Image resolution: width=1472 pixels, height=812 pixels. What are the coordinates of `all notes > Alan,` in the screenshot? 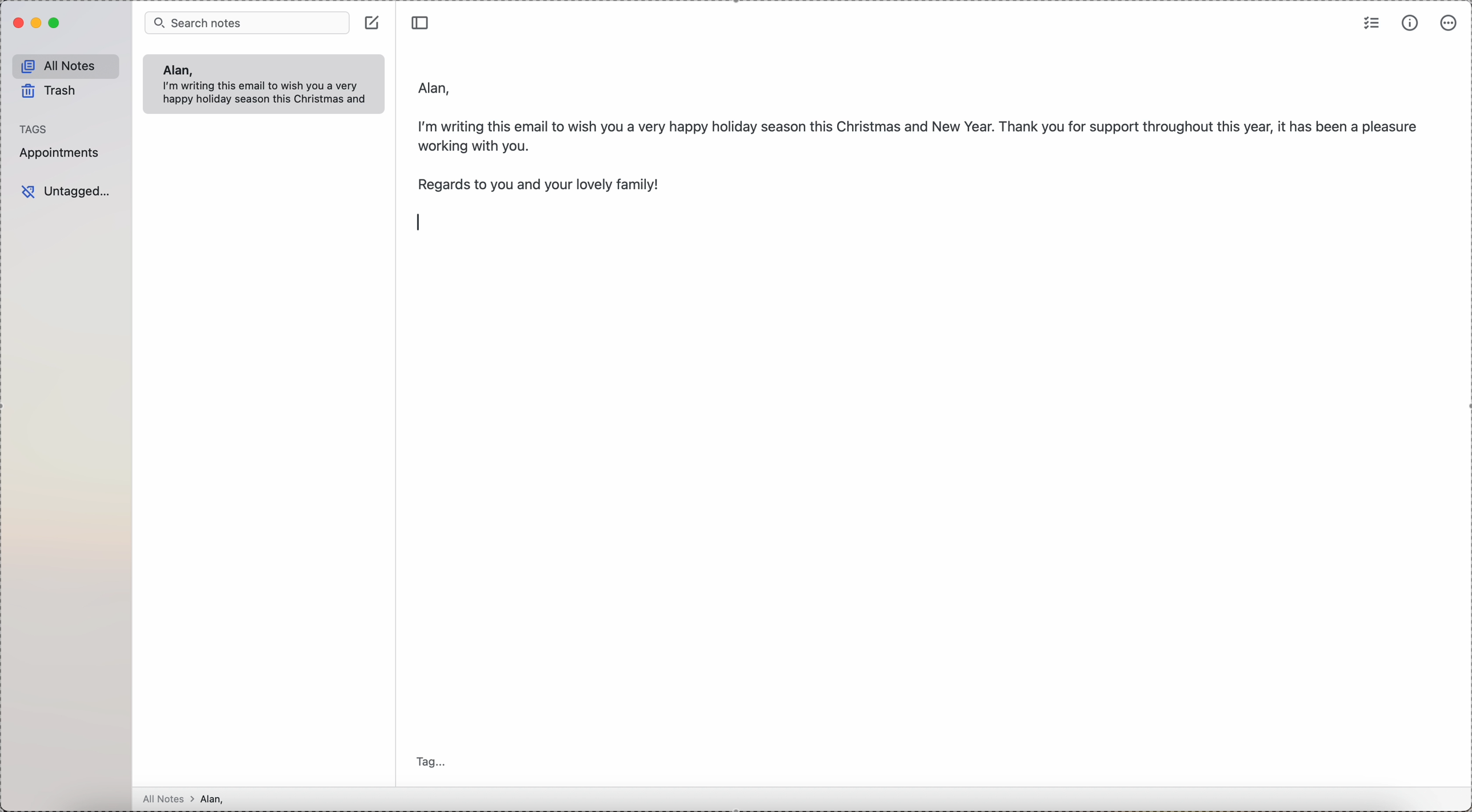 It's located at (187, 799).